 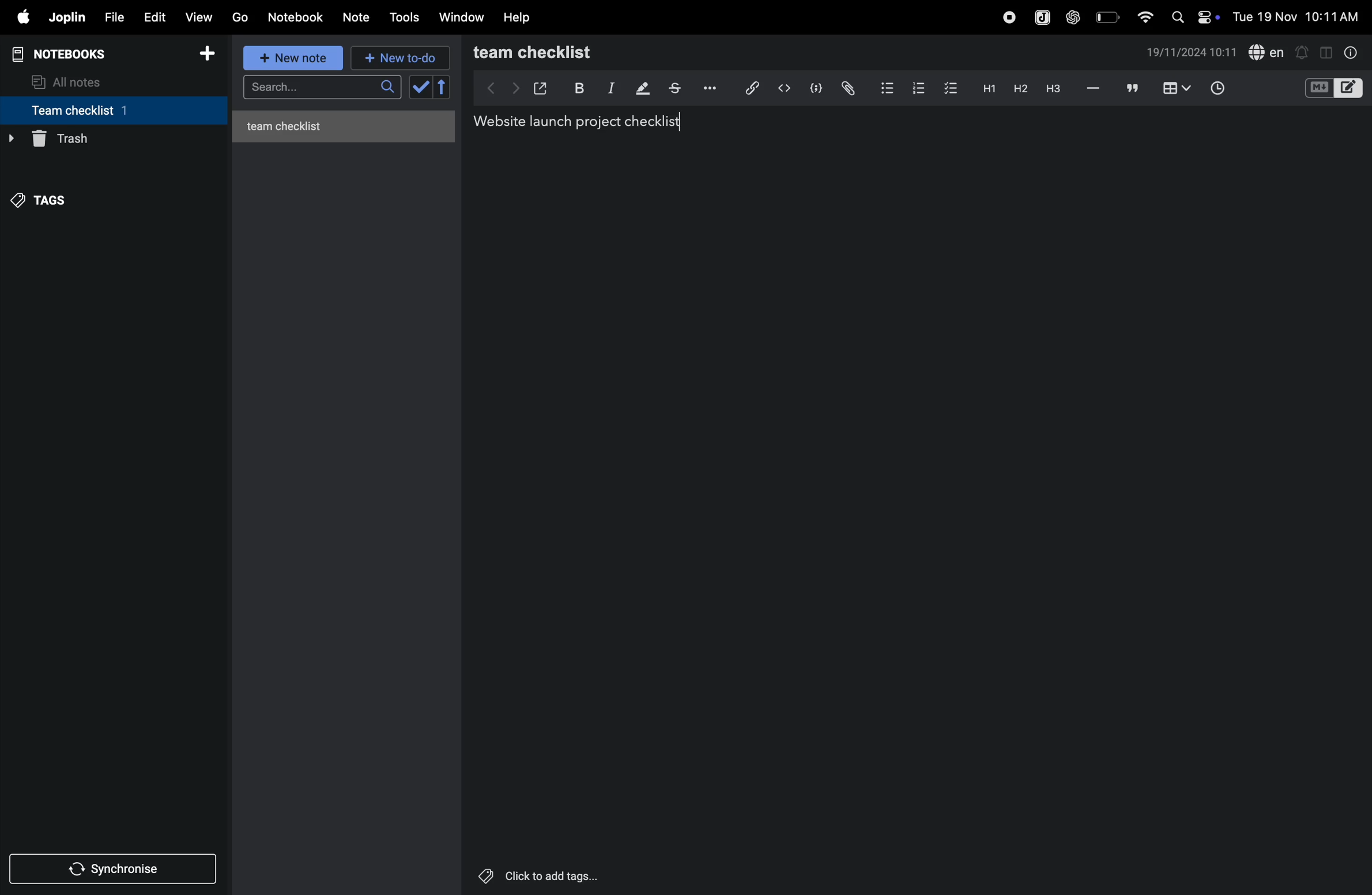 I want to click on Typing cursor, so click(x=679, y=121).